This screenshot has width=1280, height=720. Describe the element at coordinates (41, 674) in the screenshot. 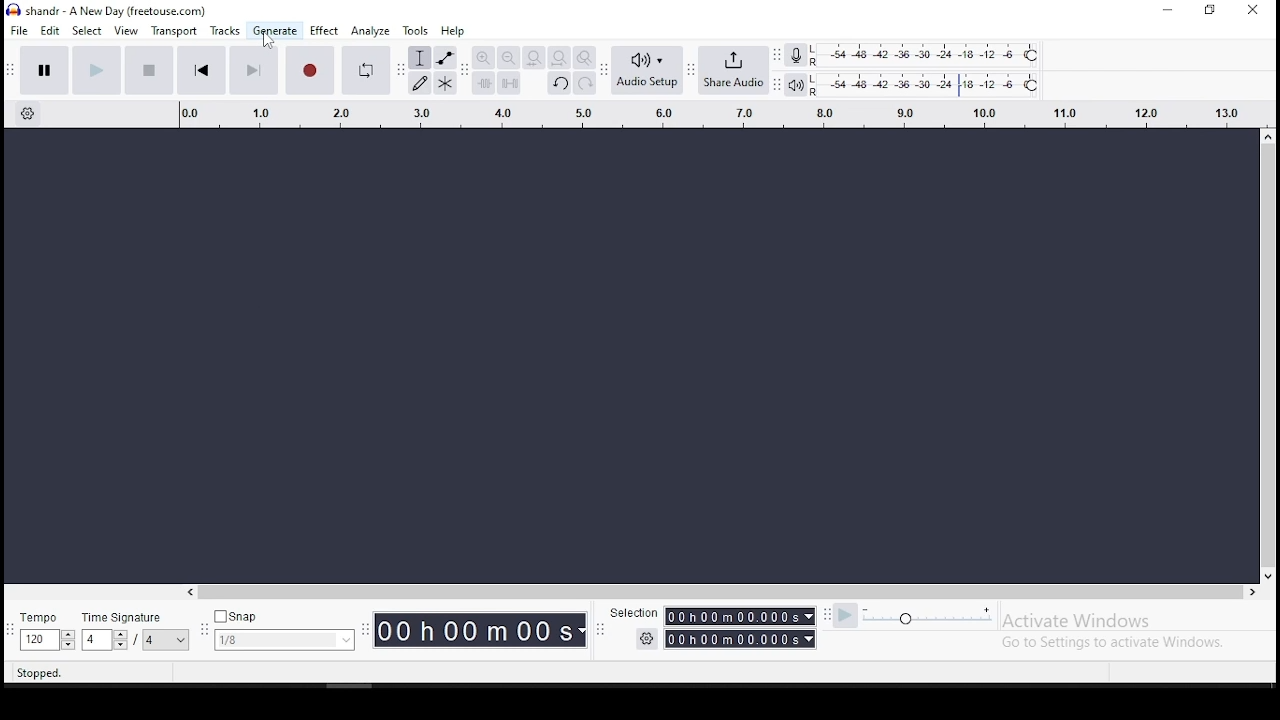

I see `stopped` at that location.